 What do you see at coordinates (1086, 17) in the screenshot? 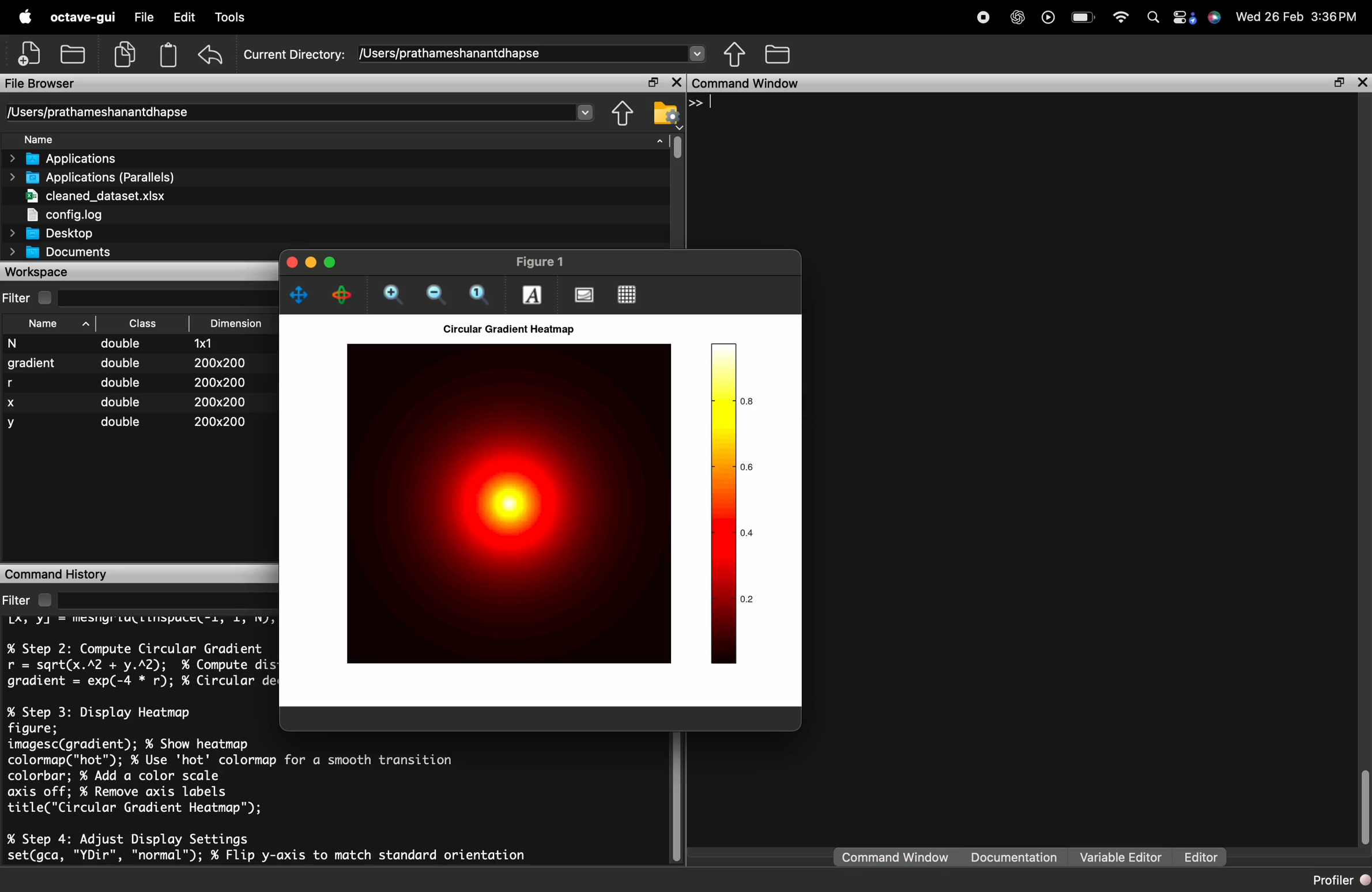
I see `battery` at bounding box center [1086, 17].